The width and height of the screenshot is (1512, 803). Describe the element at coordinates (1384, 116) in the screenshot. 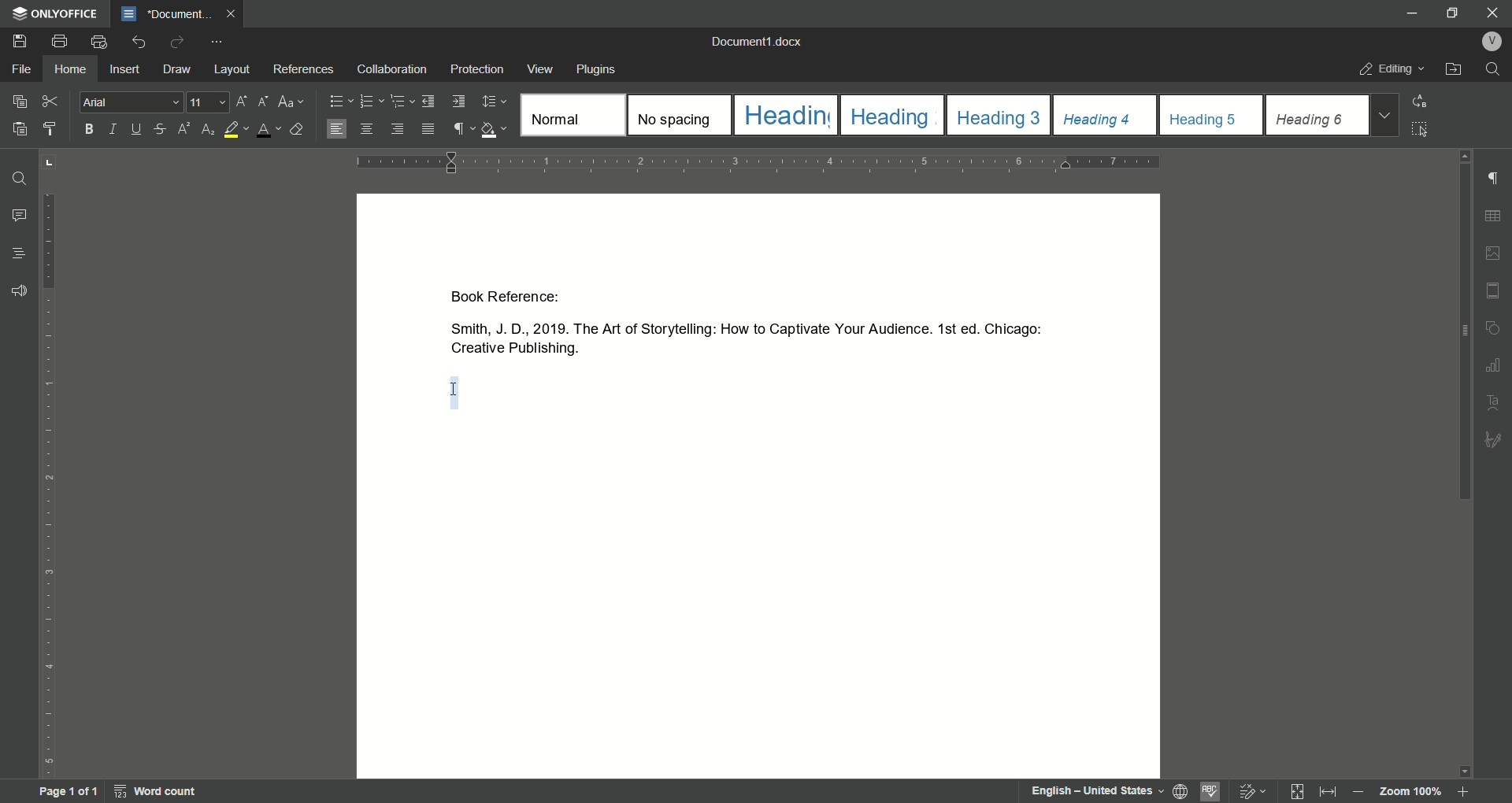

I see `Drop-down ` at that location.